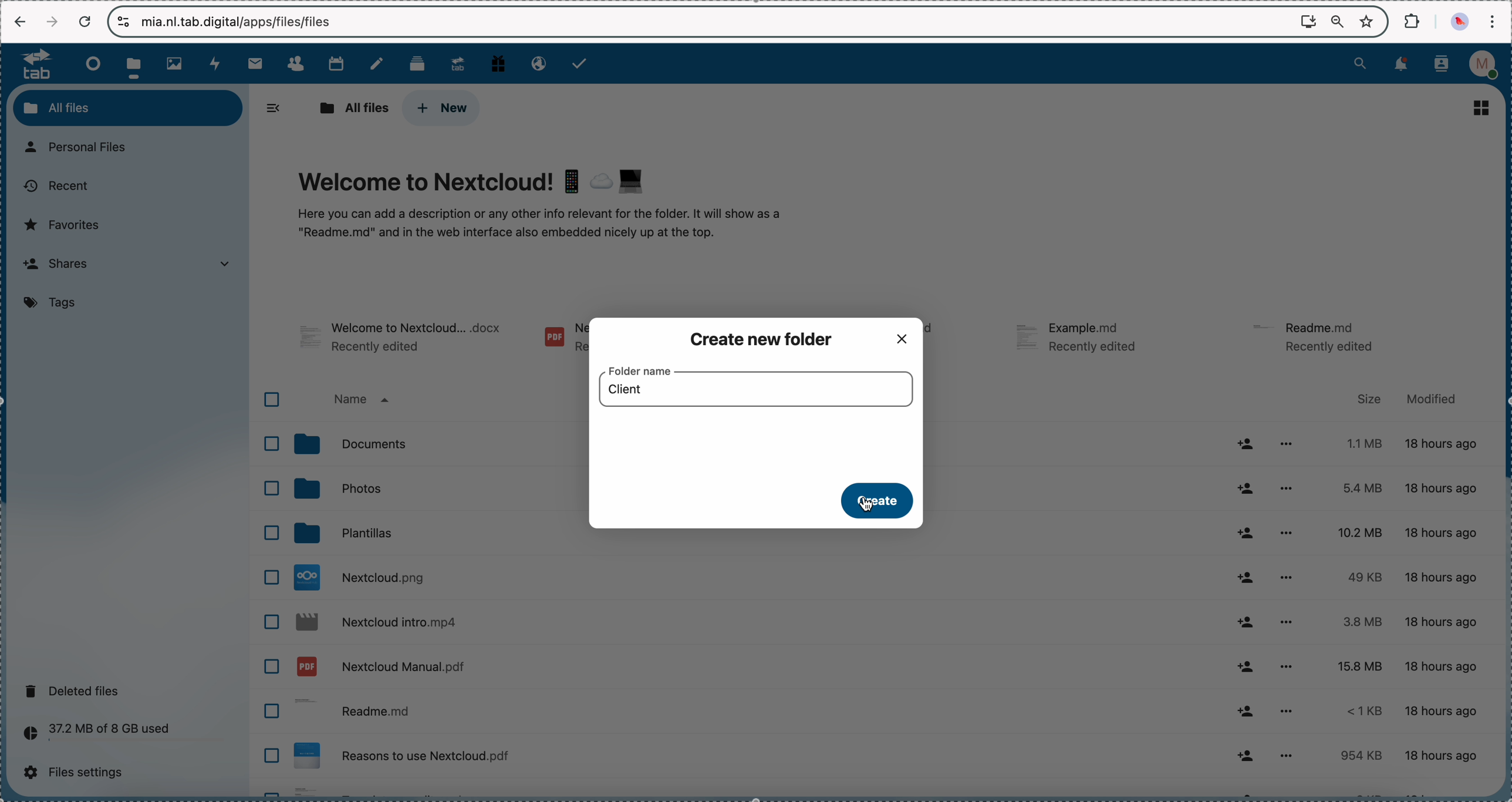 The height and width of the screenshot is (802, 1512). I want to click on url, so click(246, 21).